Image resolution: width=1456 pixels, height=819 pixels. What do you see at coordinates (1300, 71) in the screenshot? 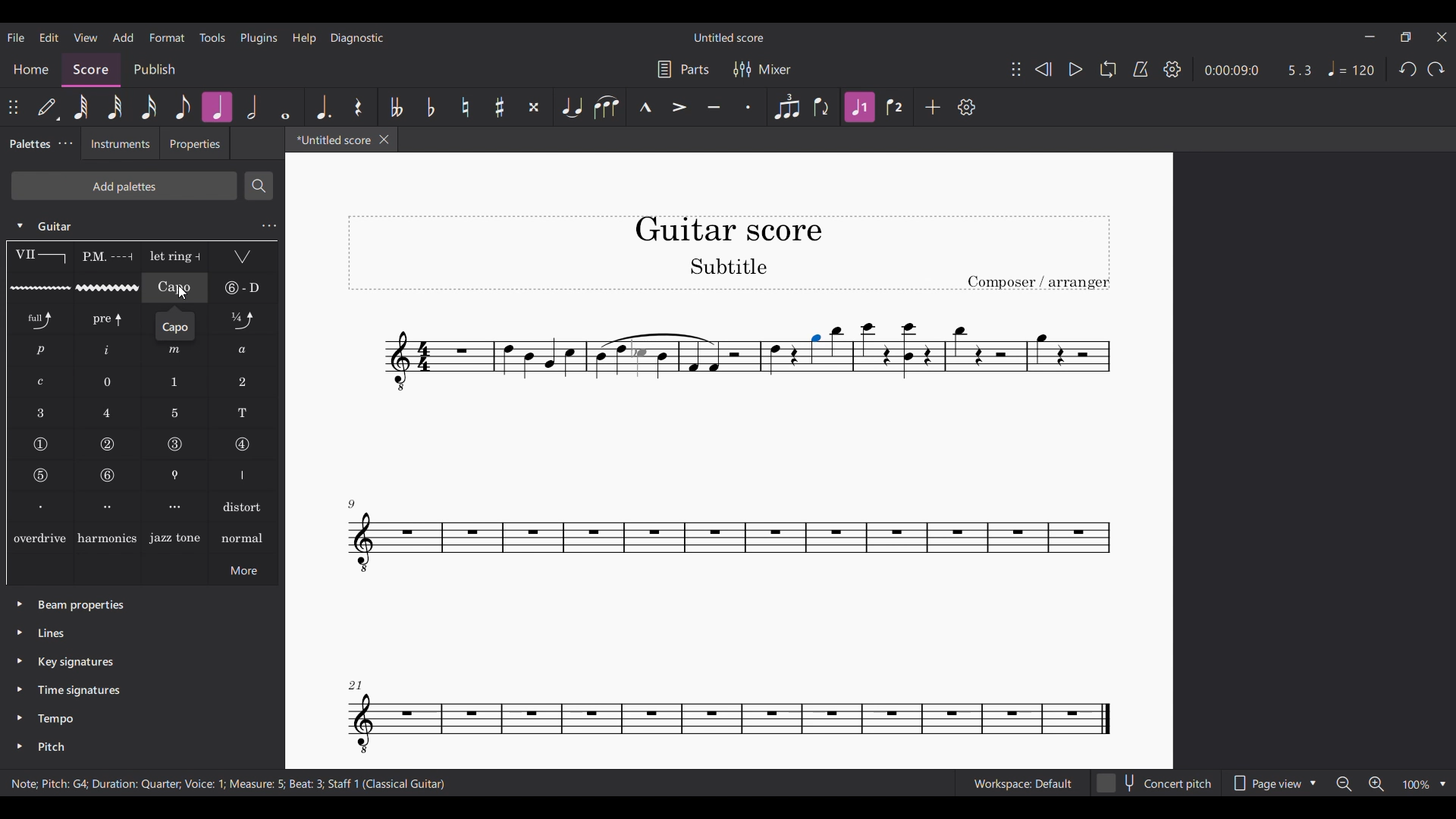
I see `Current ratio` at bounding box center [1300, 71].